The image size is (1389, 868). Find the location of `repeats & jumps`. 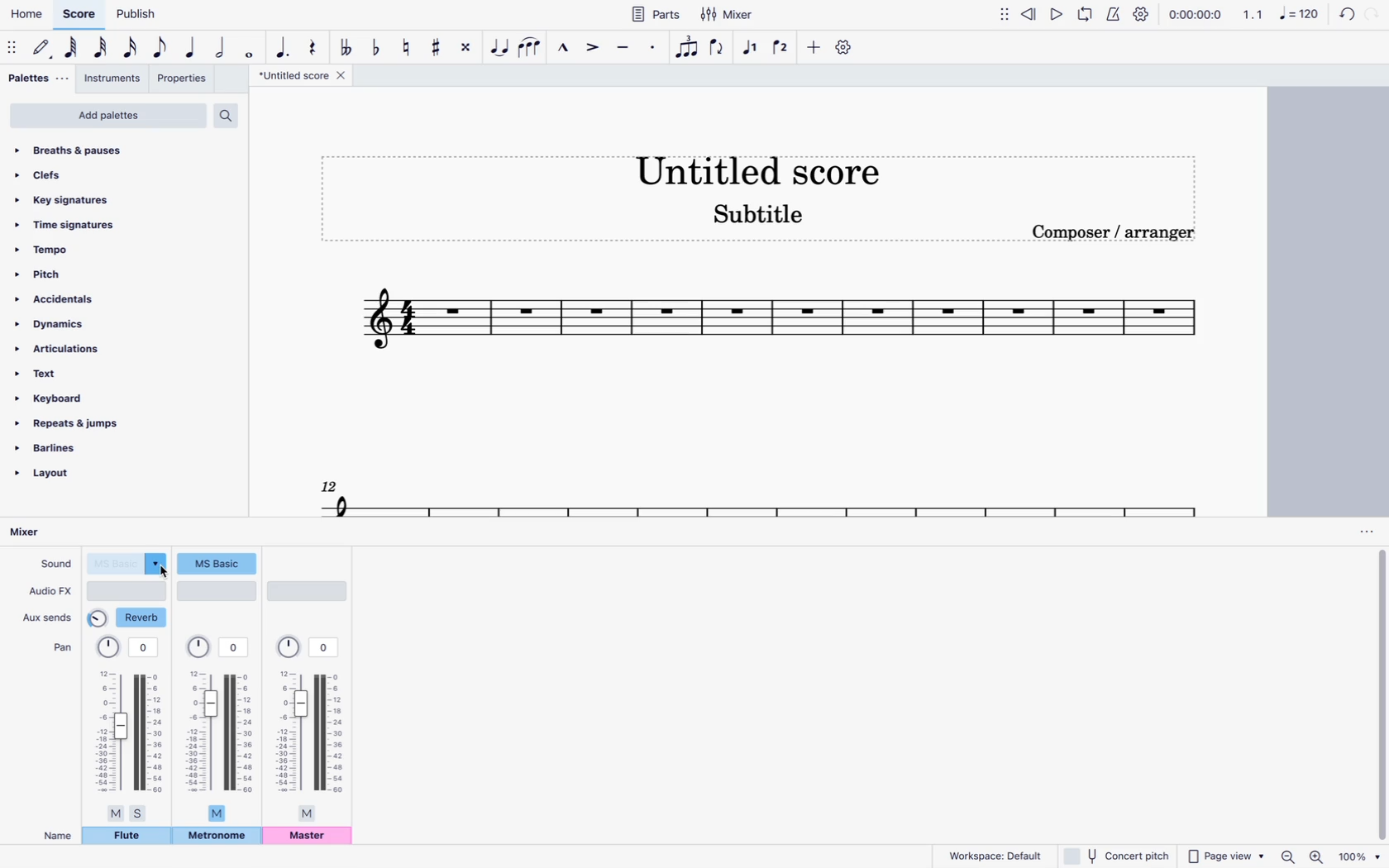

repeats & jumps is located at coordinates (79, 425).